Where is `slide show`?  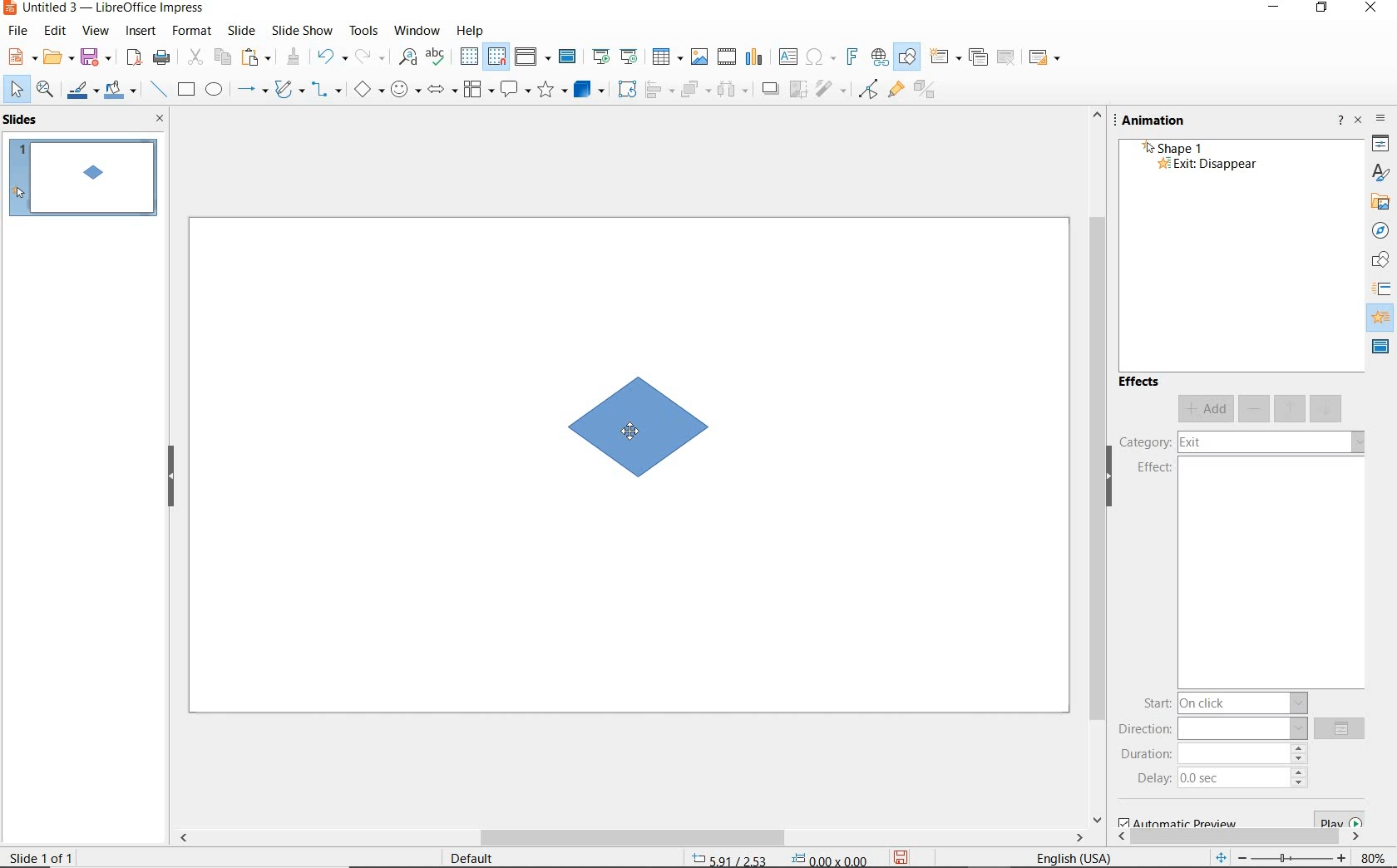 slide show is located at coordinates (304, 31).